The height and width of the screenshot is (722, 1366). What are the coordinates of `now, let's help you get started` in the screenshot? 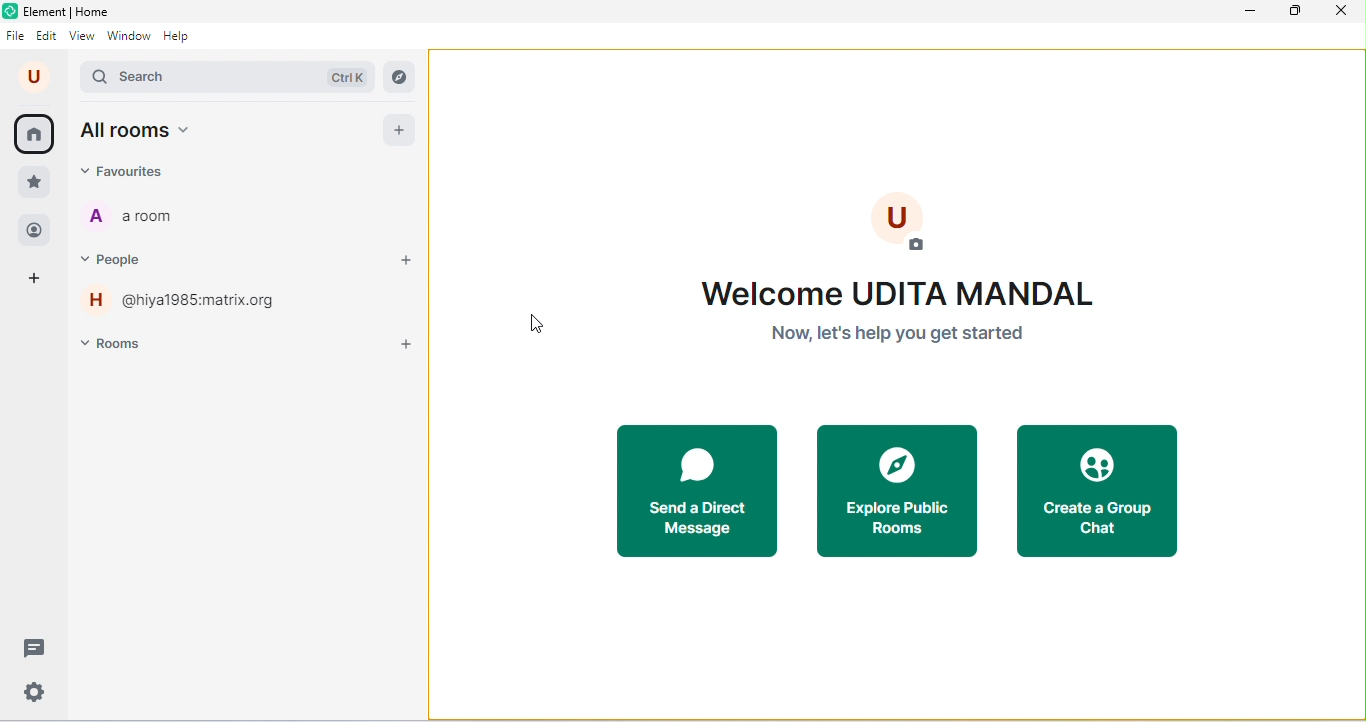 It's located at (897, 333).